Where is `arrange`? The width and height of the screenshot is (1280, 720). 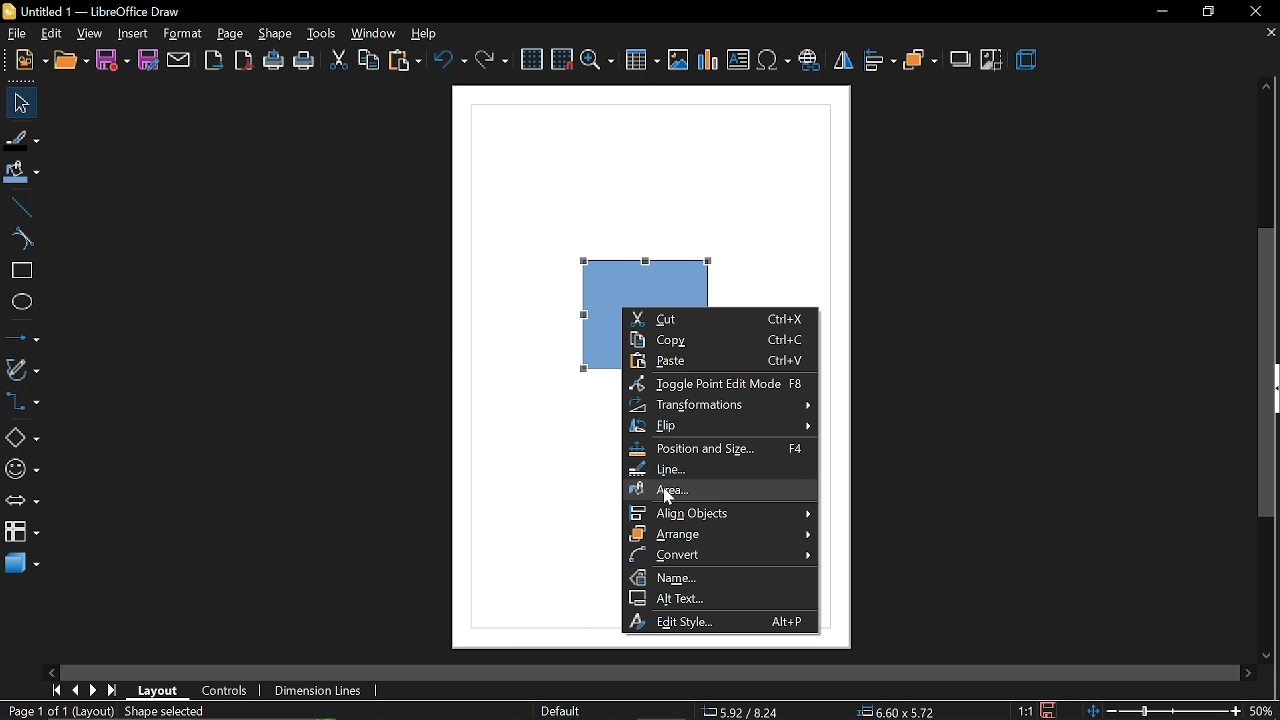
arrange is located at coordinates (920, 61).